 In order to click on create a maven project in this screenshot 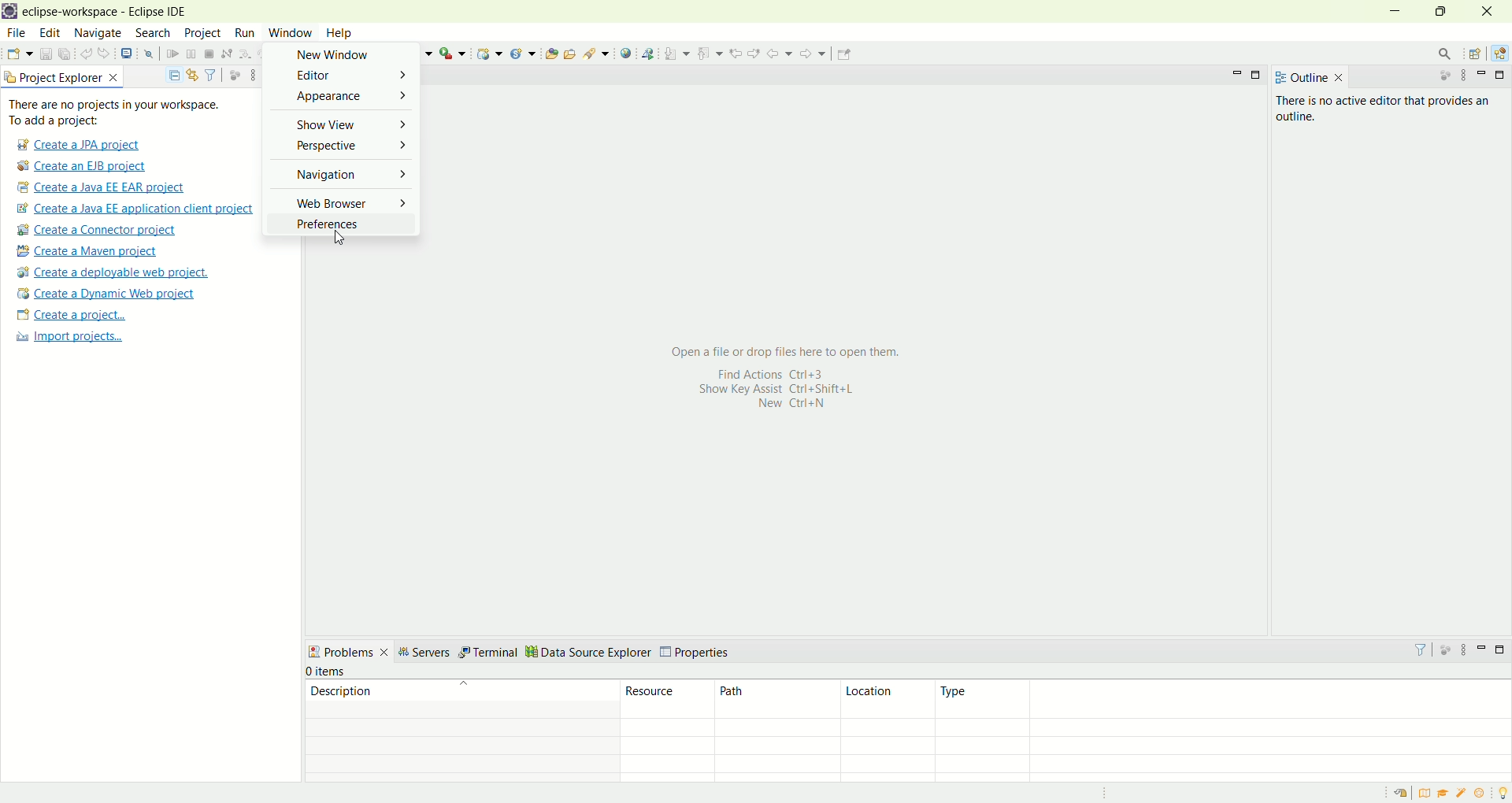, I will do `click(92, 252)`.